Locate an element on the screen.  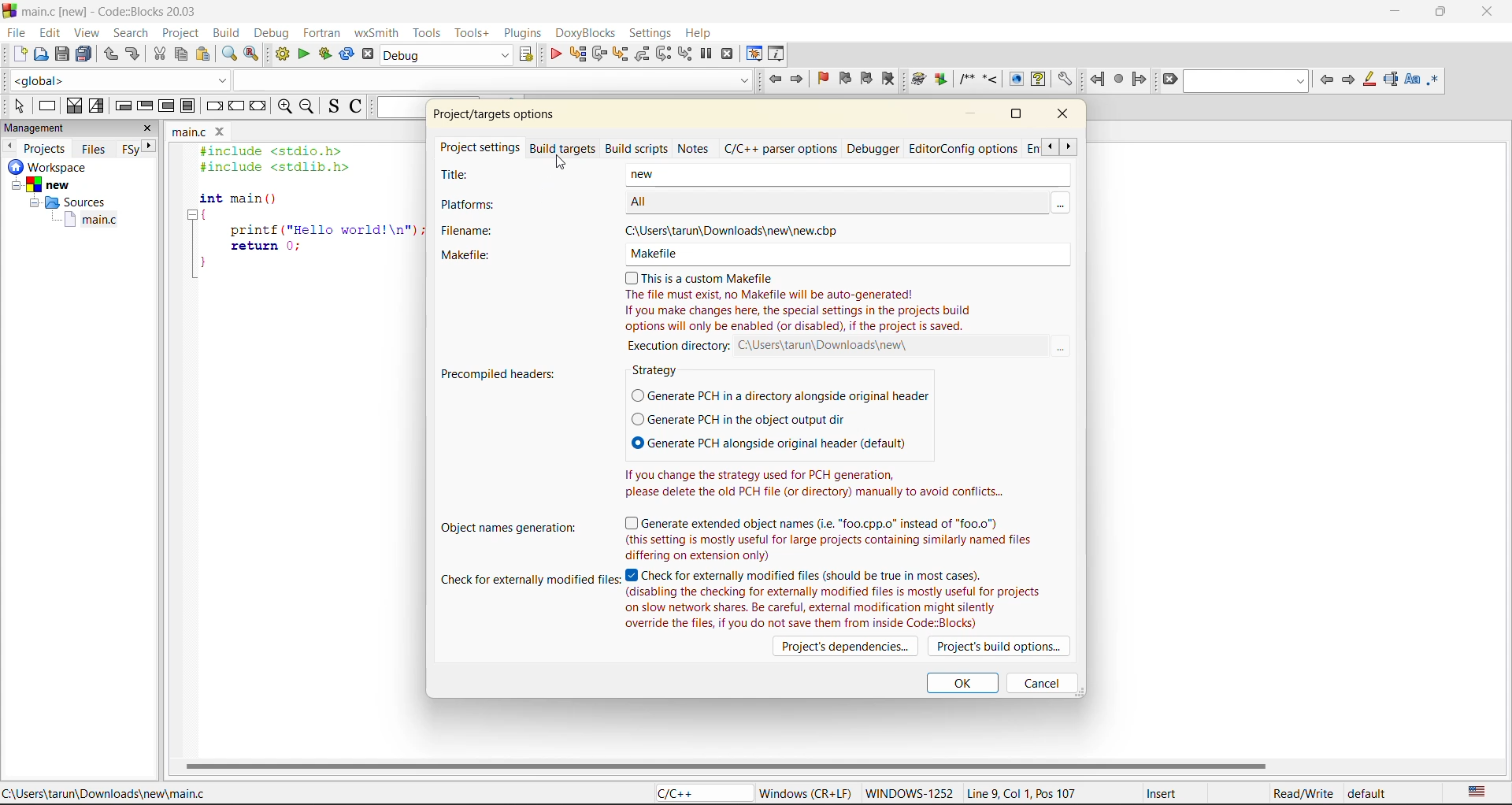
makefile is located at coordinates (487, 255).